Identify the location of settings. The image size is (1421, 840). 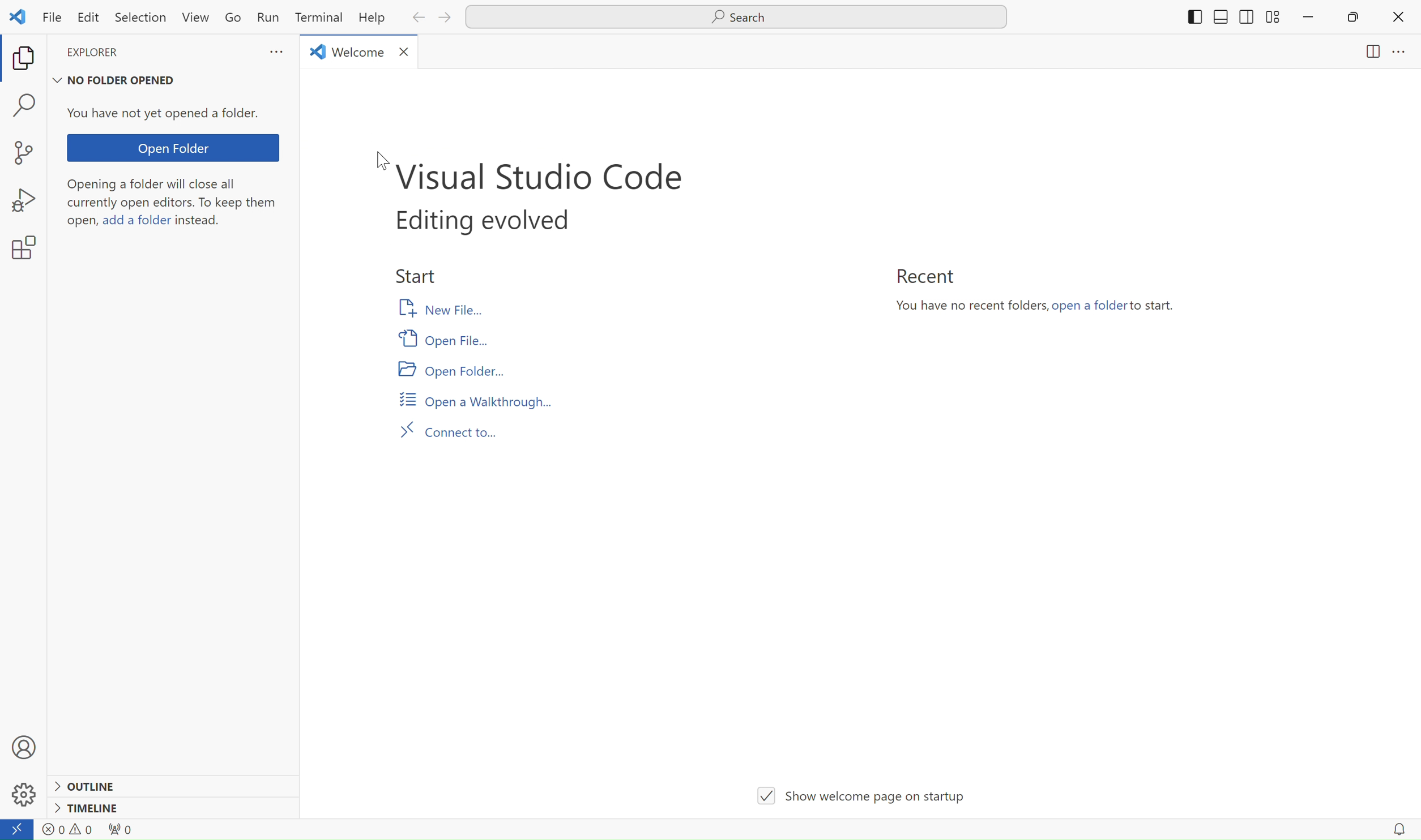
(24, 799).